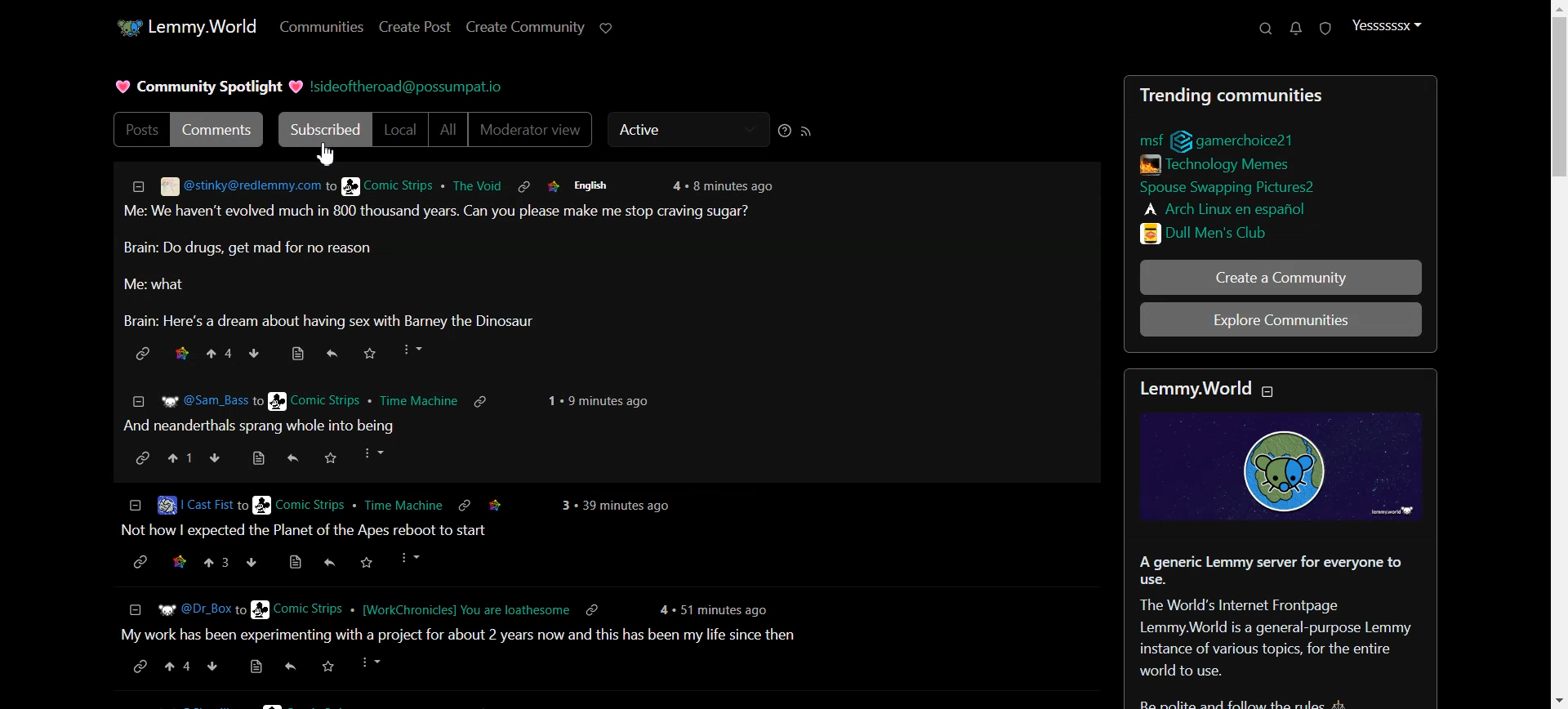  Describe the element at coordinates (177, 458) in the screenshot. I see `upvote` at that location.